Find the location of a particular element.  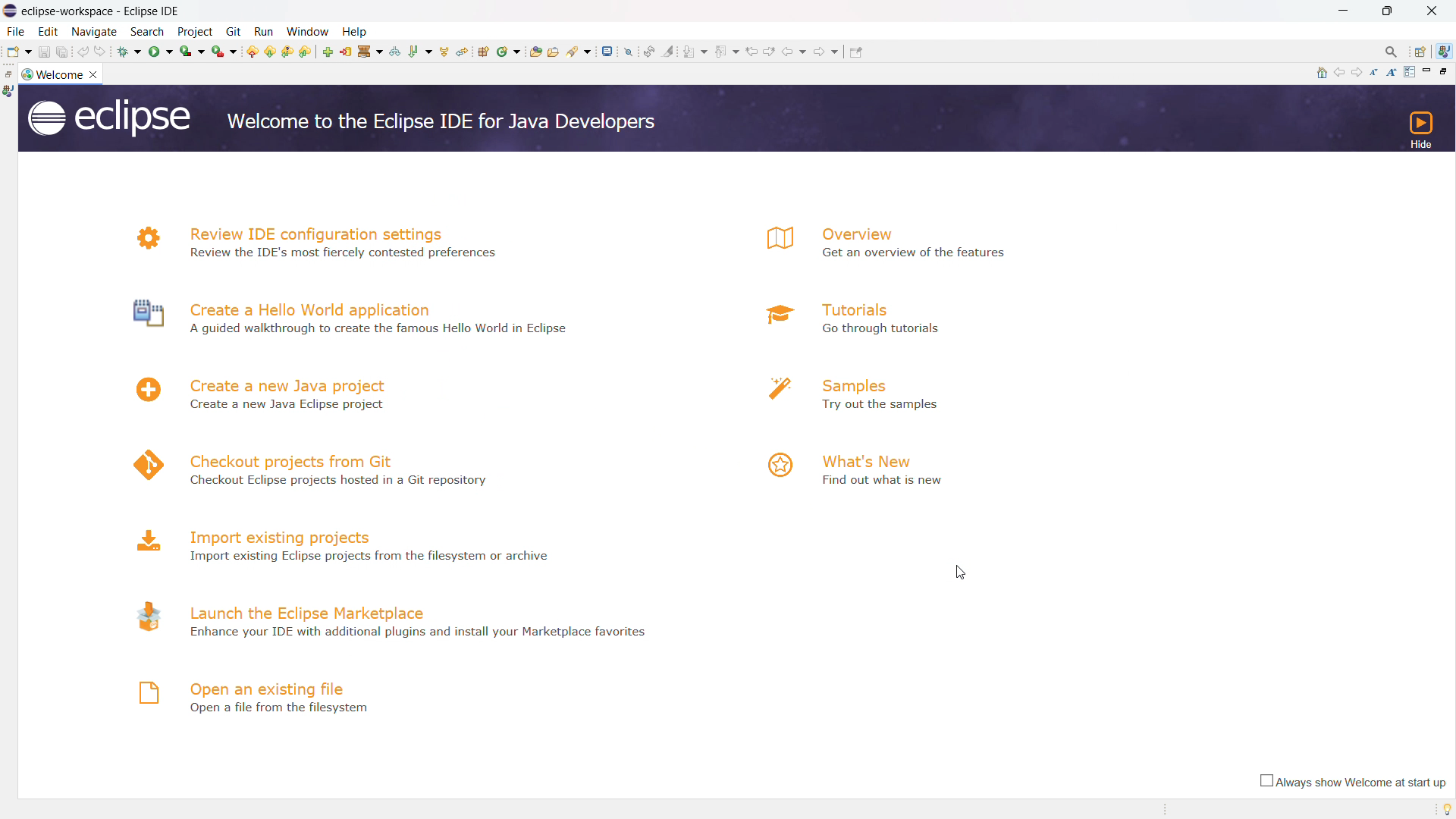

next edit location is located at coordinates (540, 51).